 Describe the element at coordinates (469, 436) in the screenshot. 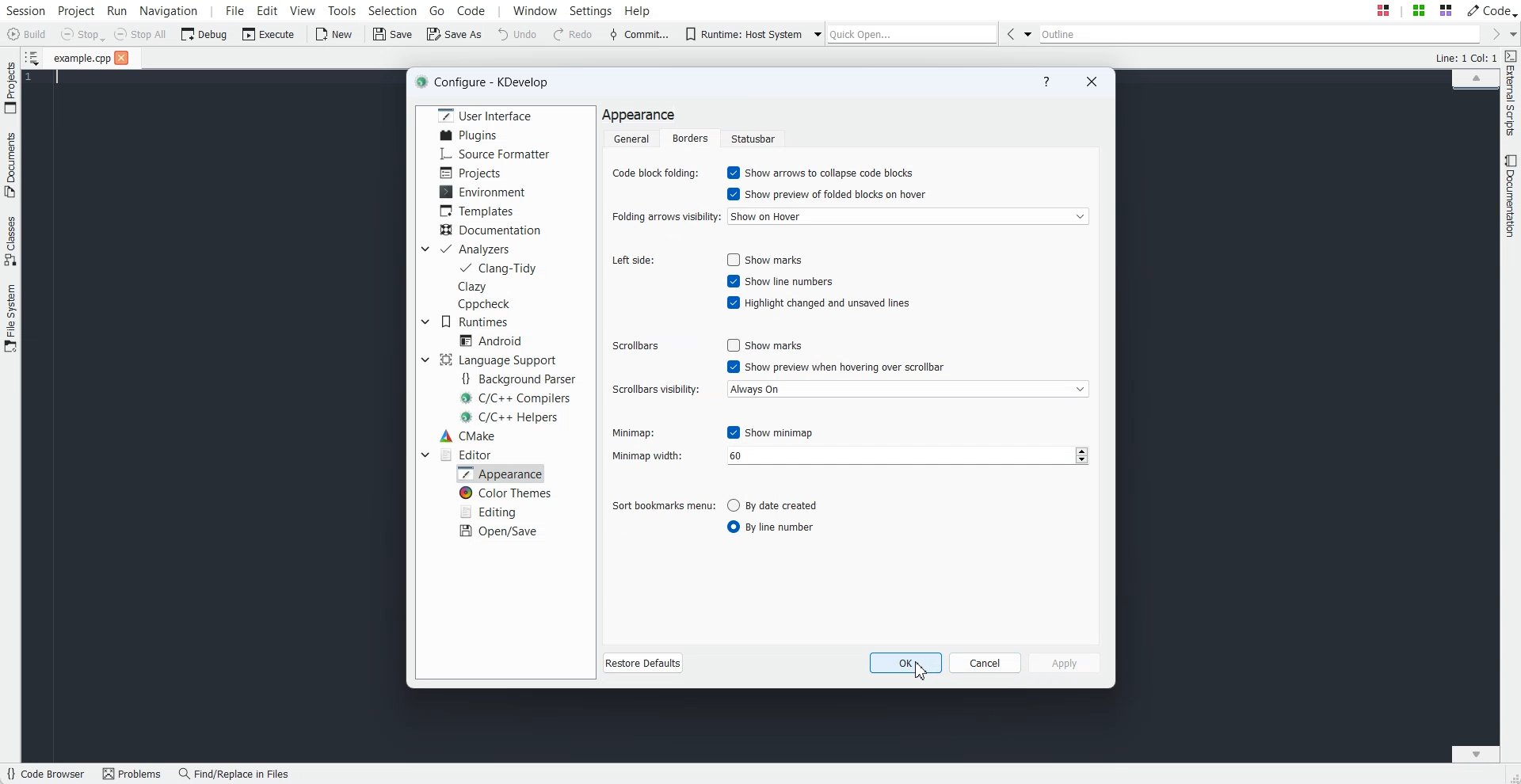

I see `CMake` at that location.